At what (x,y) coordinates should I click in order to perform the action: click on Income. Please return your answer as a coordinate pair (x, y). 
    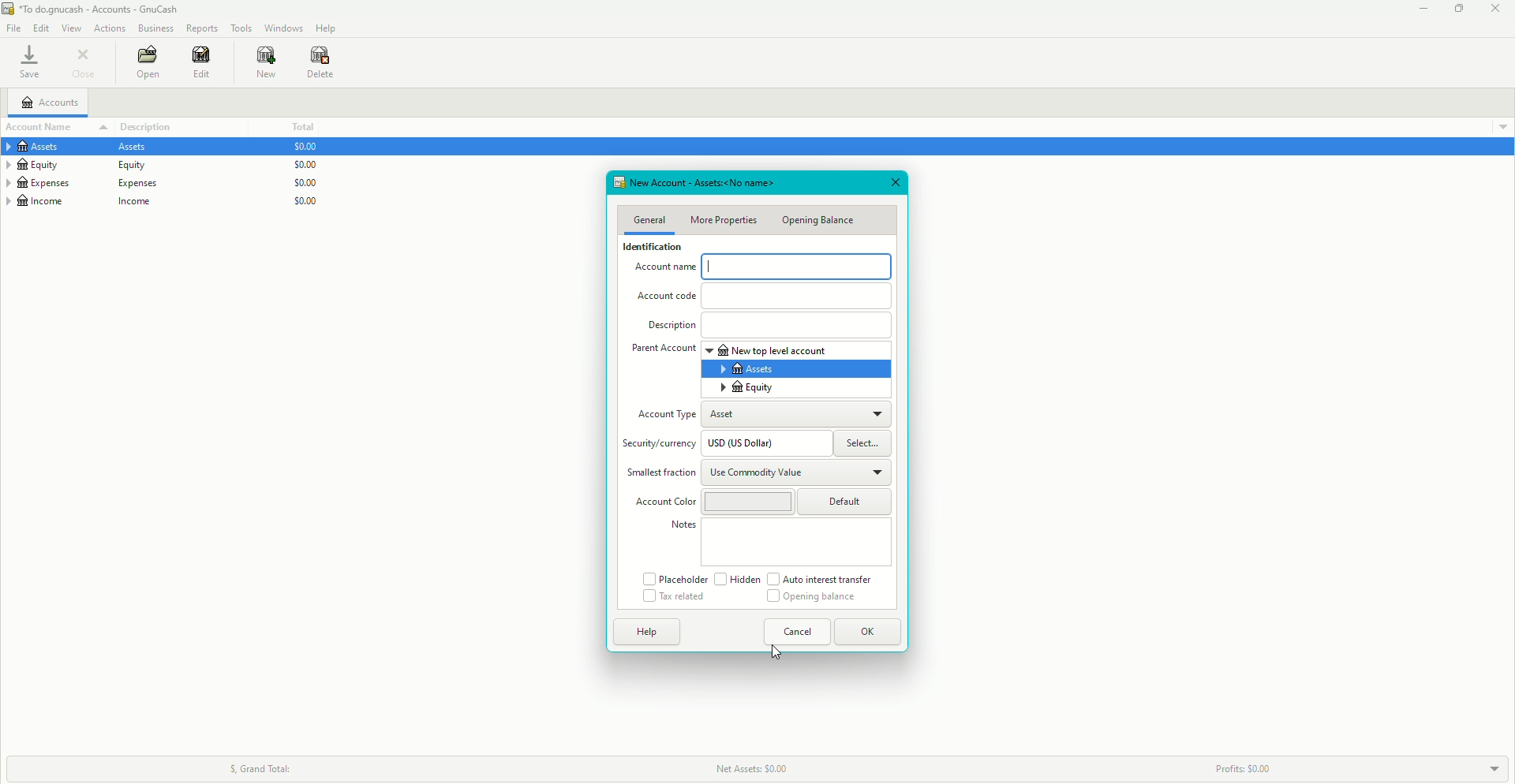
    Looking at the image, I should click on (87, 203).